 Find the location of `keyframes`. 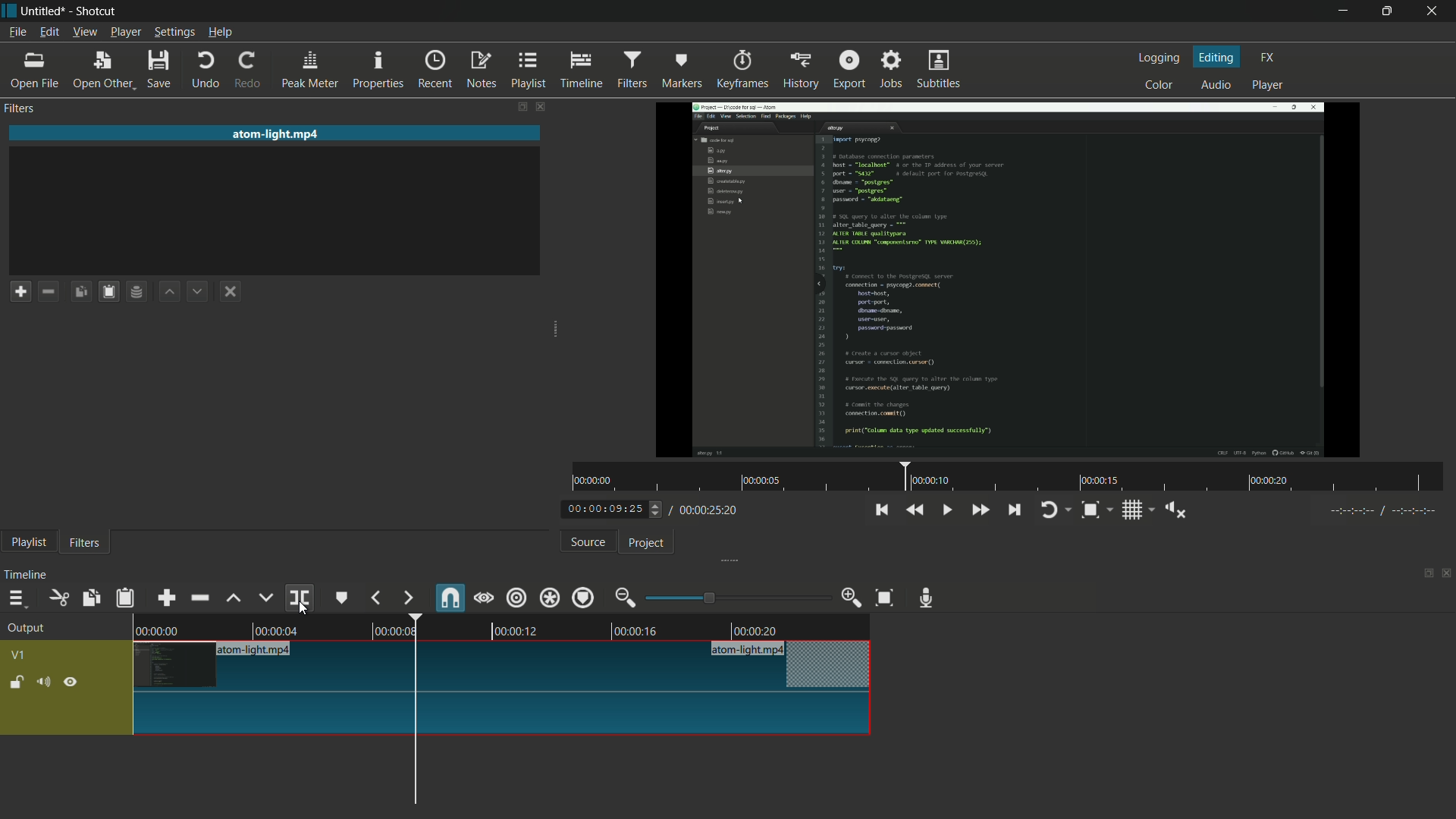

keyframes is located at coordinates (740, 70).